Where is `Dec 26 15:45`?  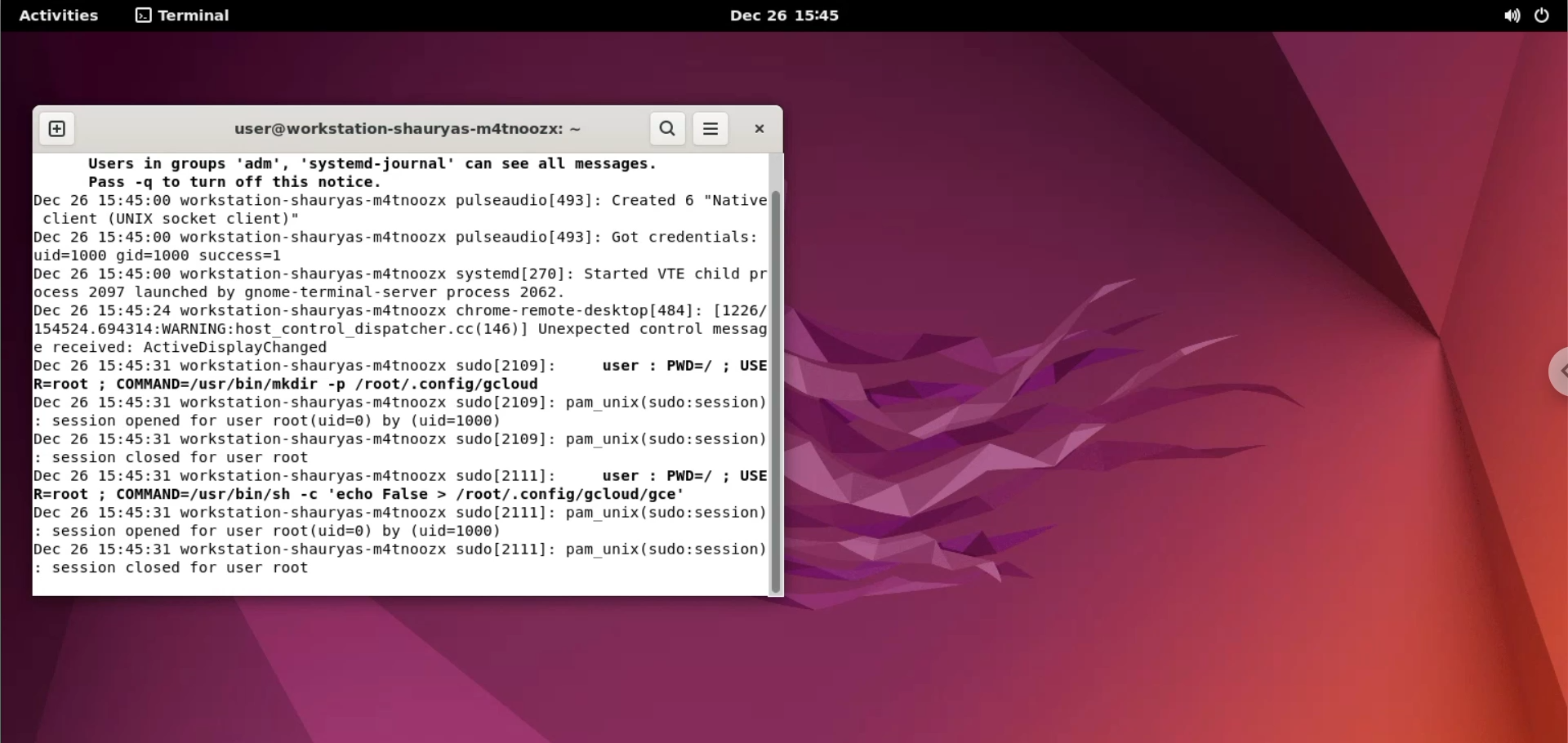 Dec 26 15:45 is located at coordinates (782, 17).